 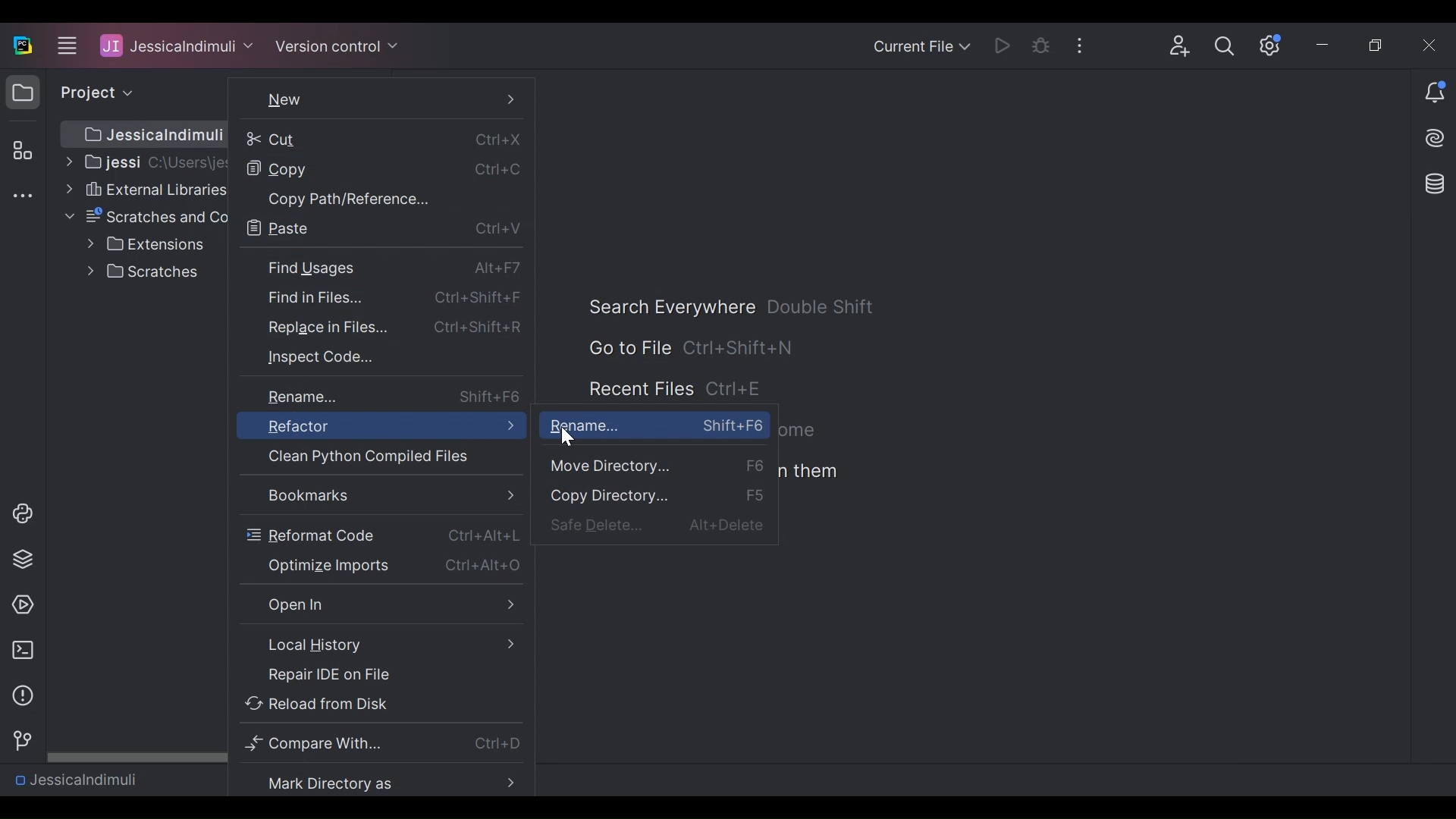 I want to click on python, so click(x=23, y=513).